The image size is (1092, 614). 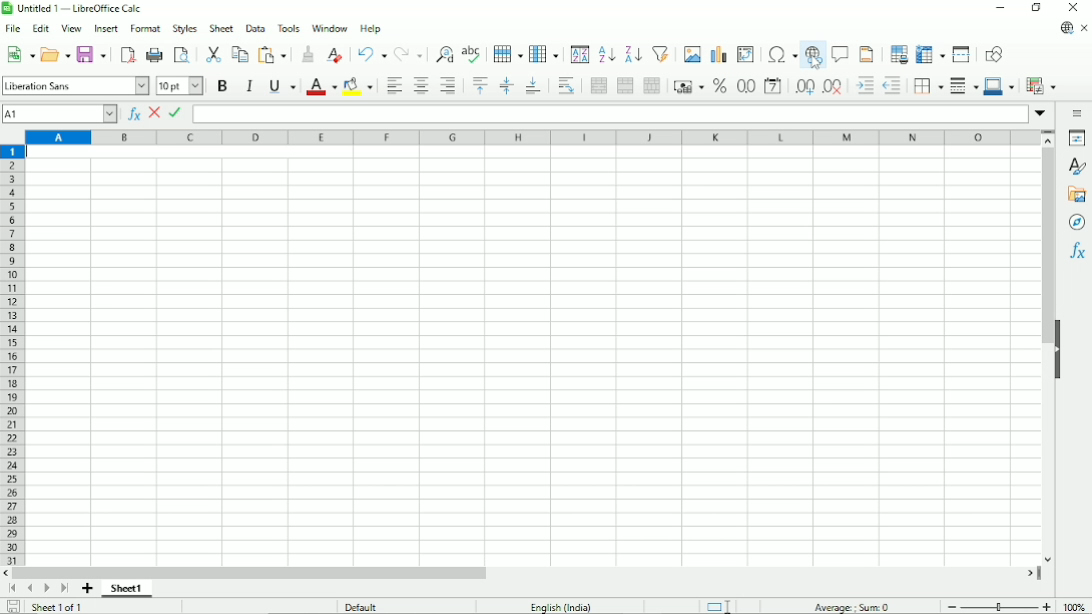 I want to click on Row headings, so click(x=14, y=356).